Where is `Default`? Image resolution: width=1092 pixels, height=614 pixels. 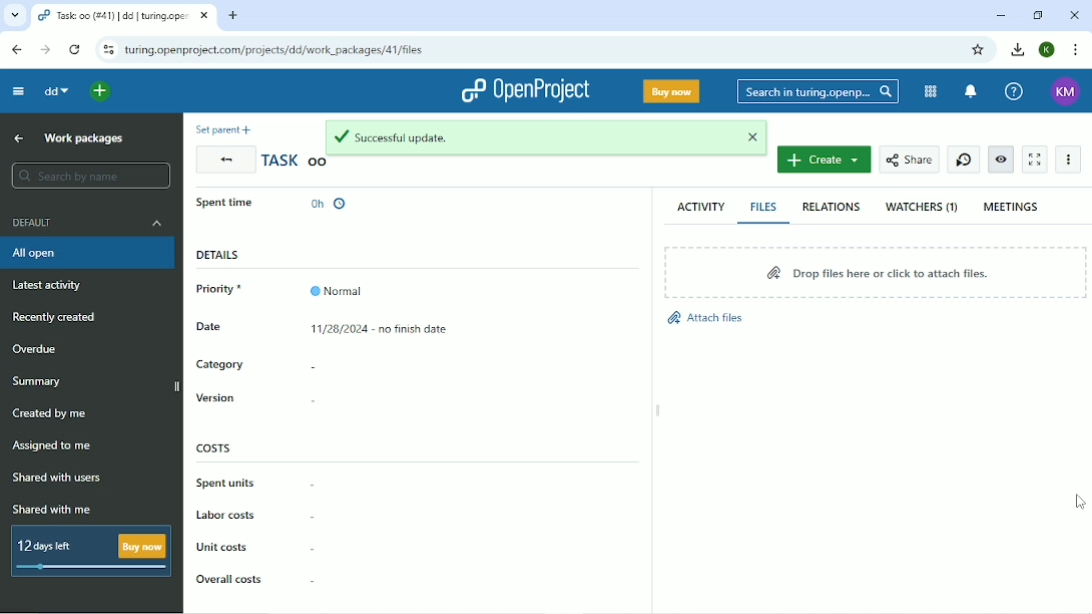
Default is located at coordinates (87, 223).